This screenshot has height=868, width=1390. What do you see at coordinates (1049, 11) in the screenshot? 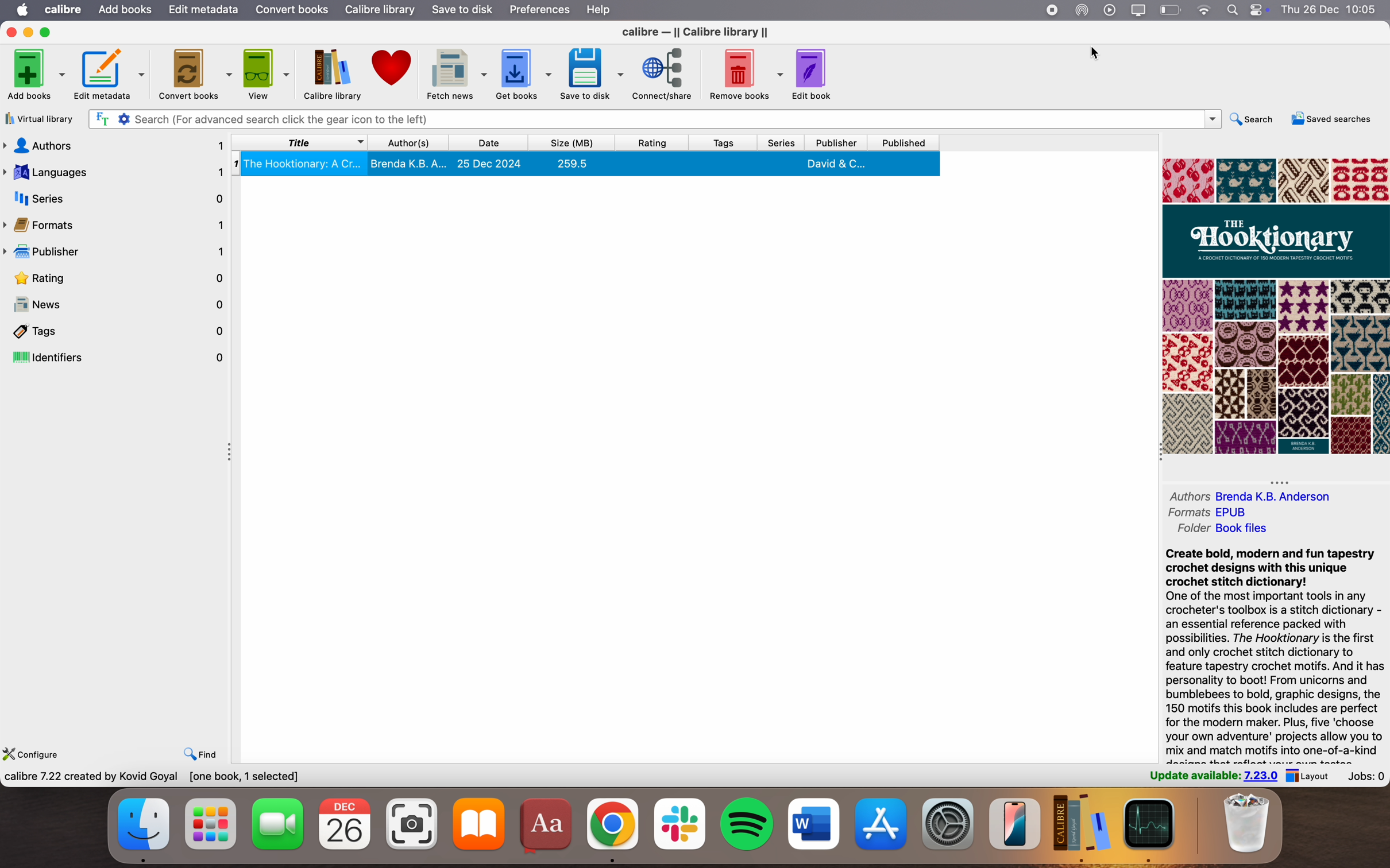
I see `stop recording` at bounding box center [1049, 11].